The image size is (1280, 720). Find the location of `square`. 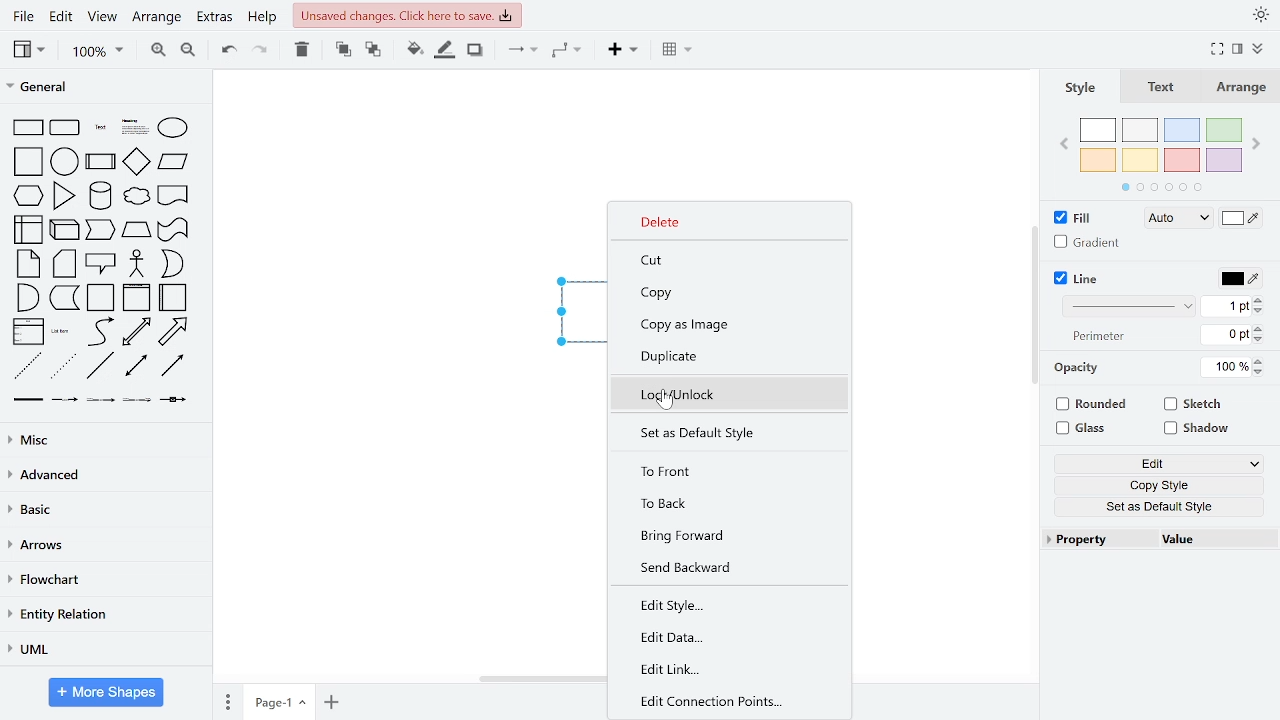

square is located at coordinates (27, 162).